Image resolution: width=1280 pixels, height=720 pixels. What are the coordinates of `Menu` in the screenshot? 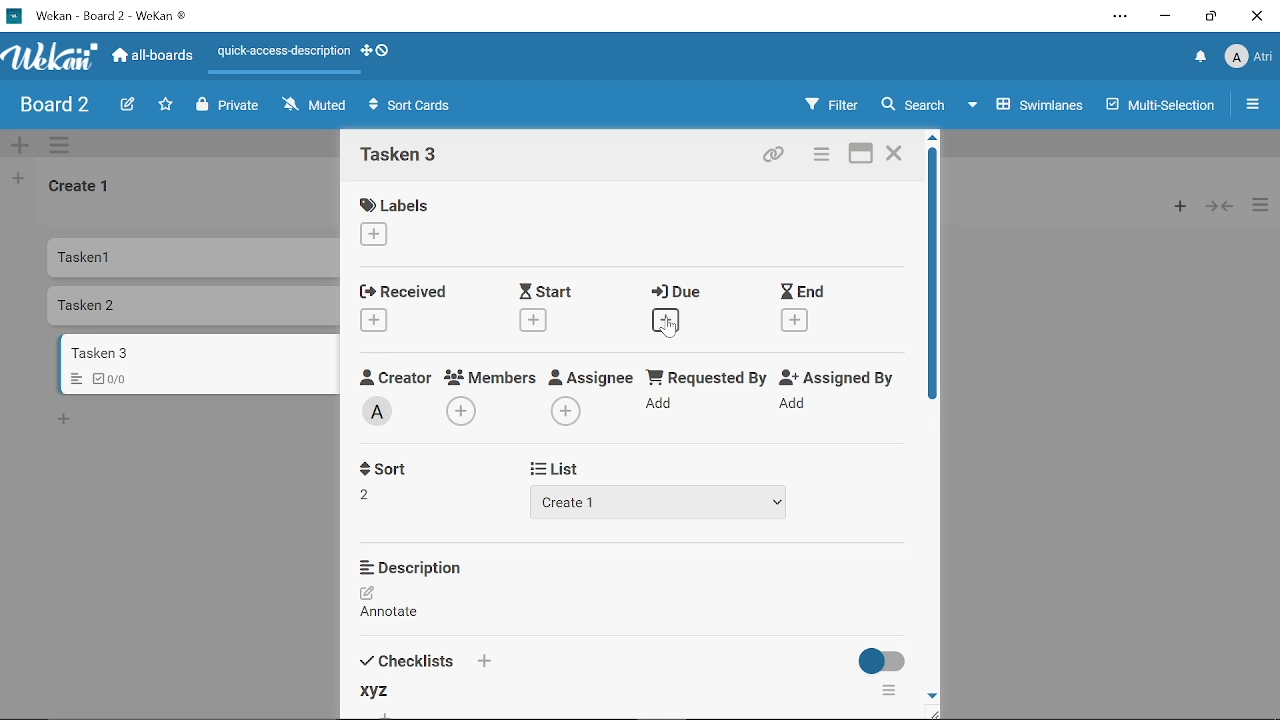 It's located at (72, 380).